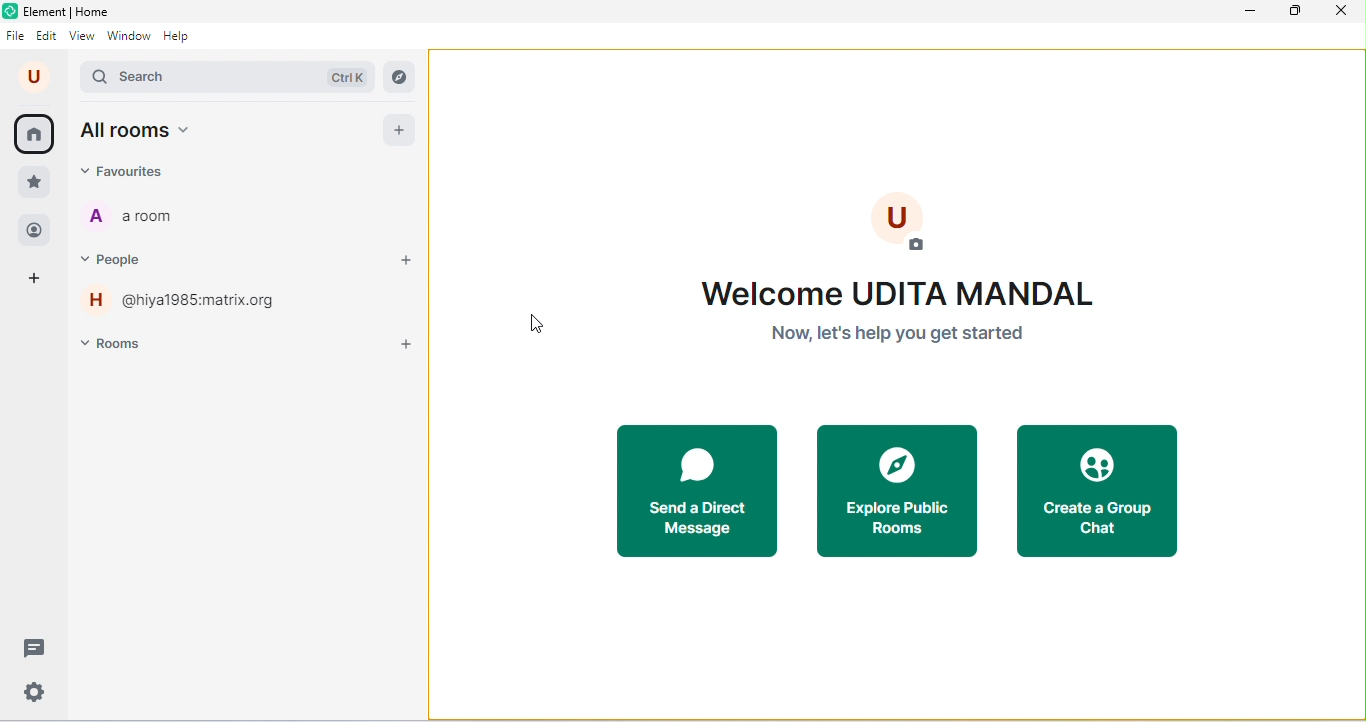  Describe the element at coordinates (902, 217) in the screenshot. I see `add profile photo` at that location.